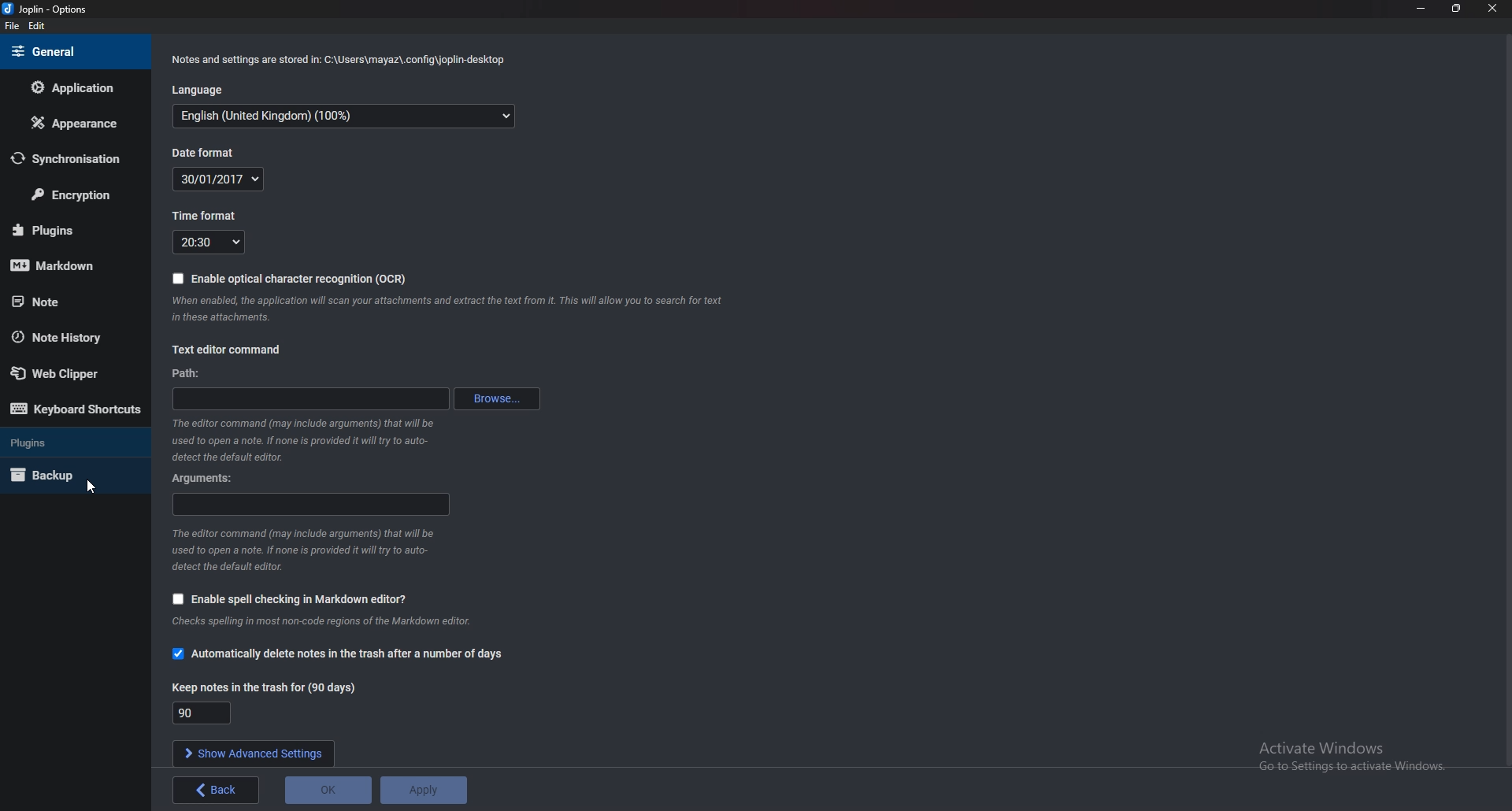 This screenshot has width=1512, height=811. What do you see at coordinates (66, 229) in the screenshot?
I see `plugins` at bounding box center [66, 229].